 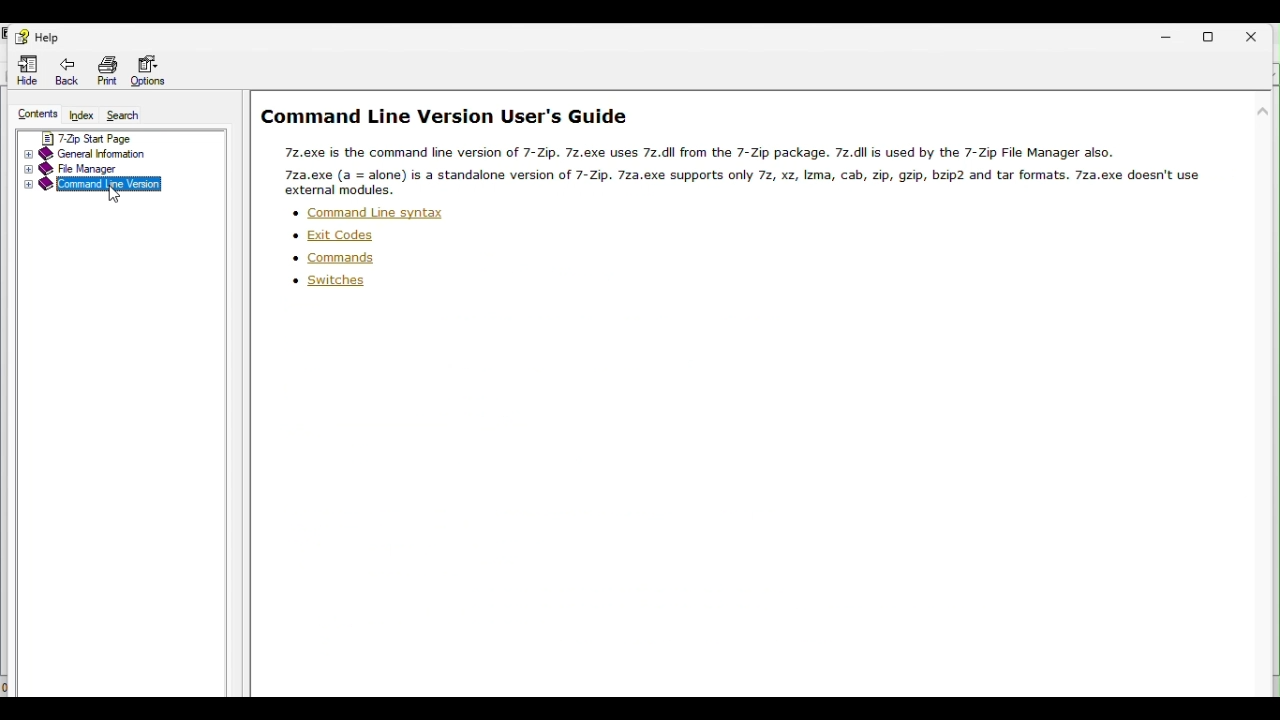 What do you see at coordinates (107, 67) in the screenshot?
I see `Print` at bounding box center [107, 67].